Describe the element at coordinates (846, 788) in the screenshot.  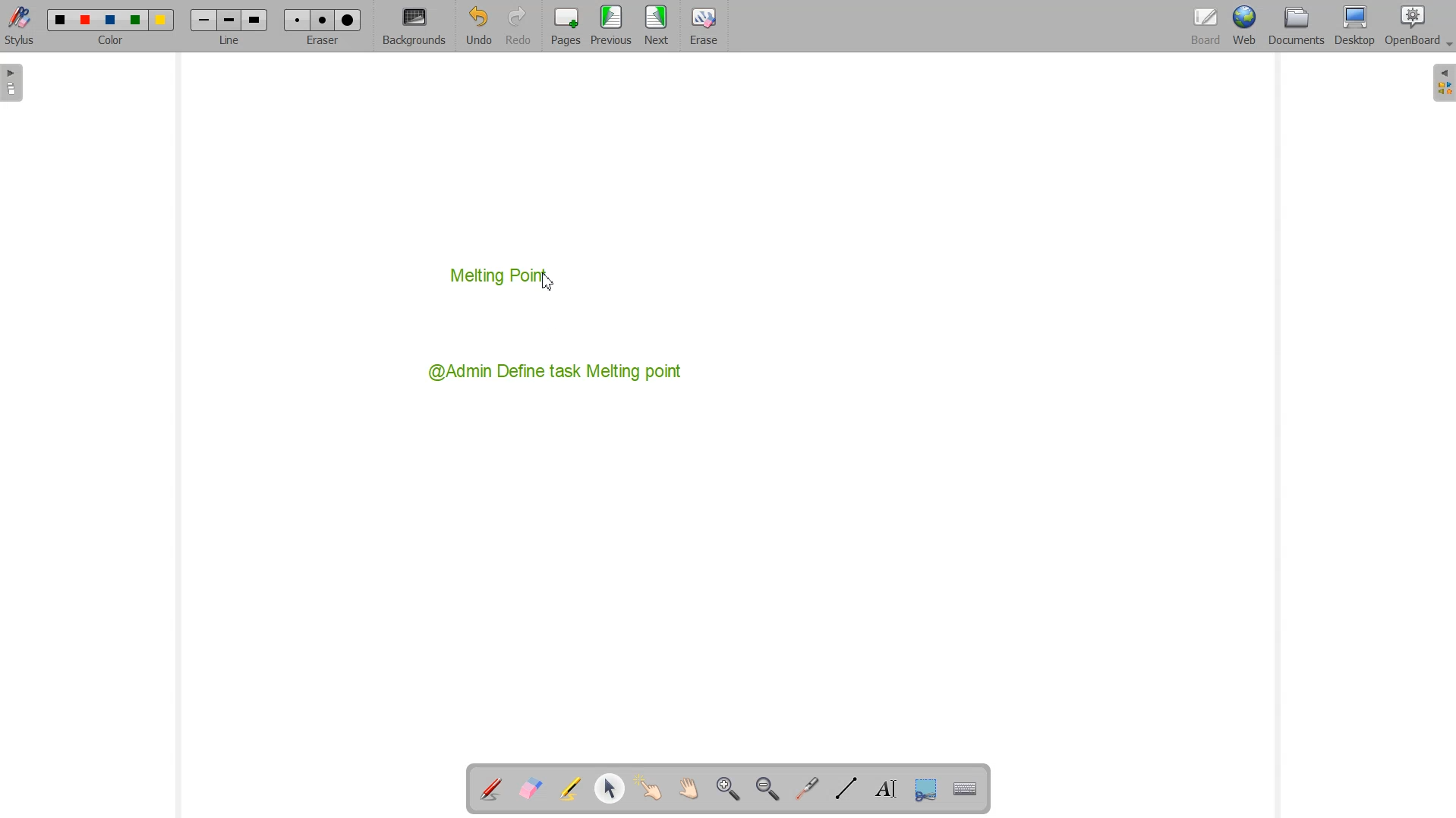
I see `Draw lines` at that location.